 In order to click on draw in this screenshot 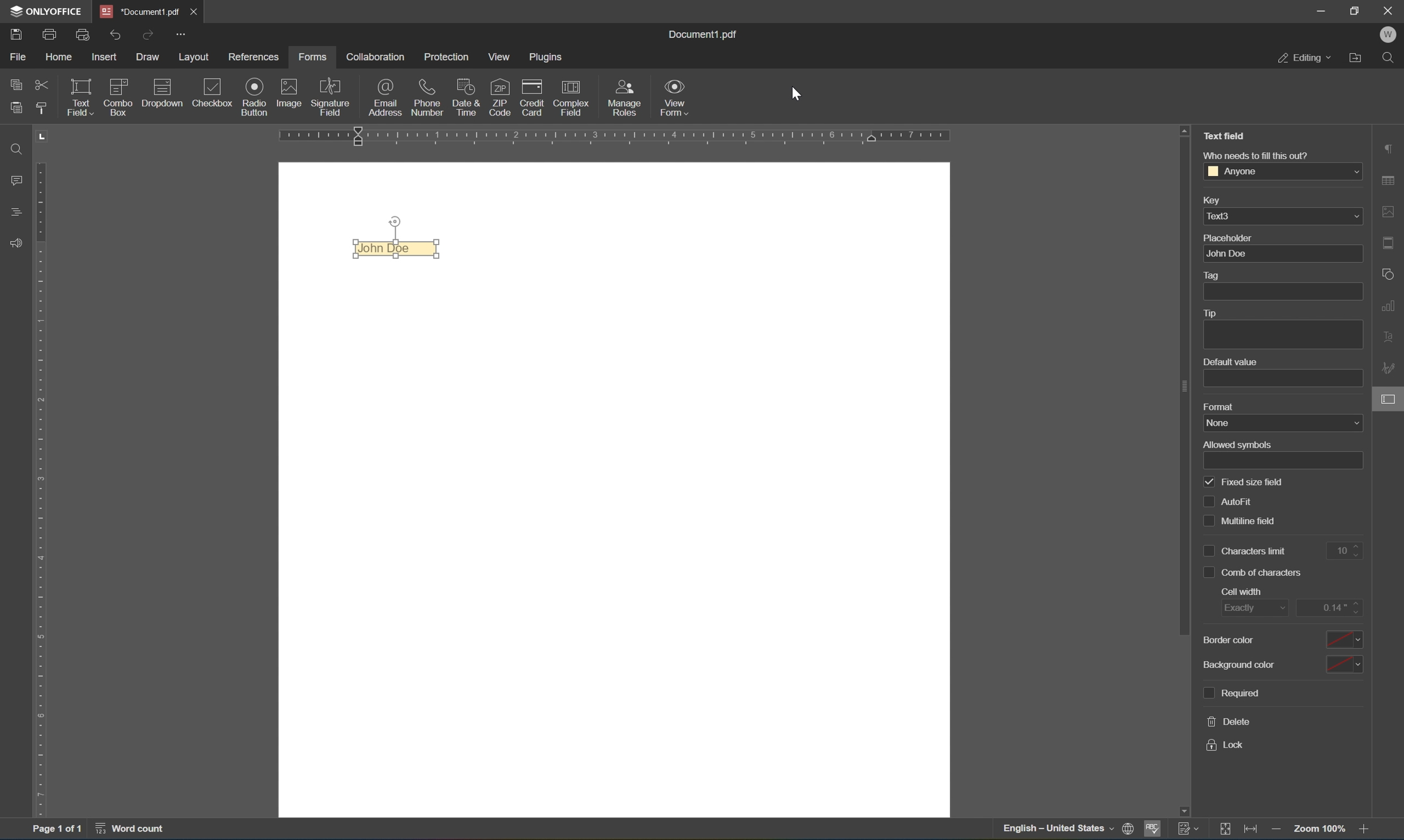, I will do `click(150, 54)`.